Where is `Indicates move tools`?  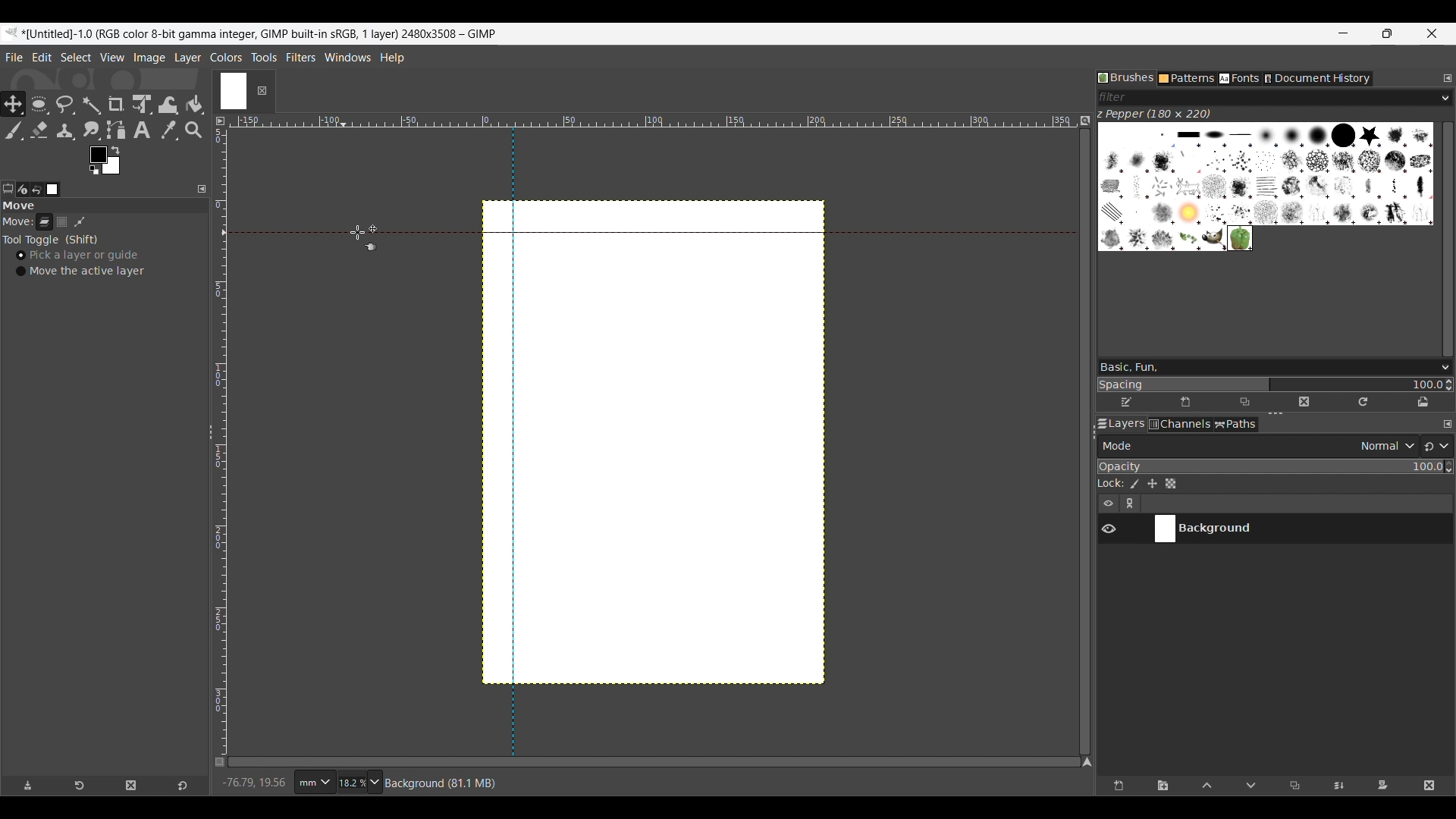 Indicates move tools is located at coordinates (17, 221).